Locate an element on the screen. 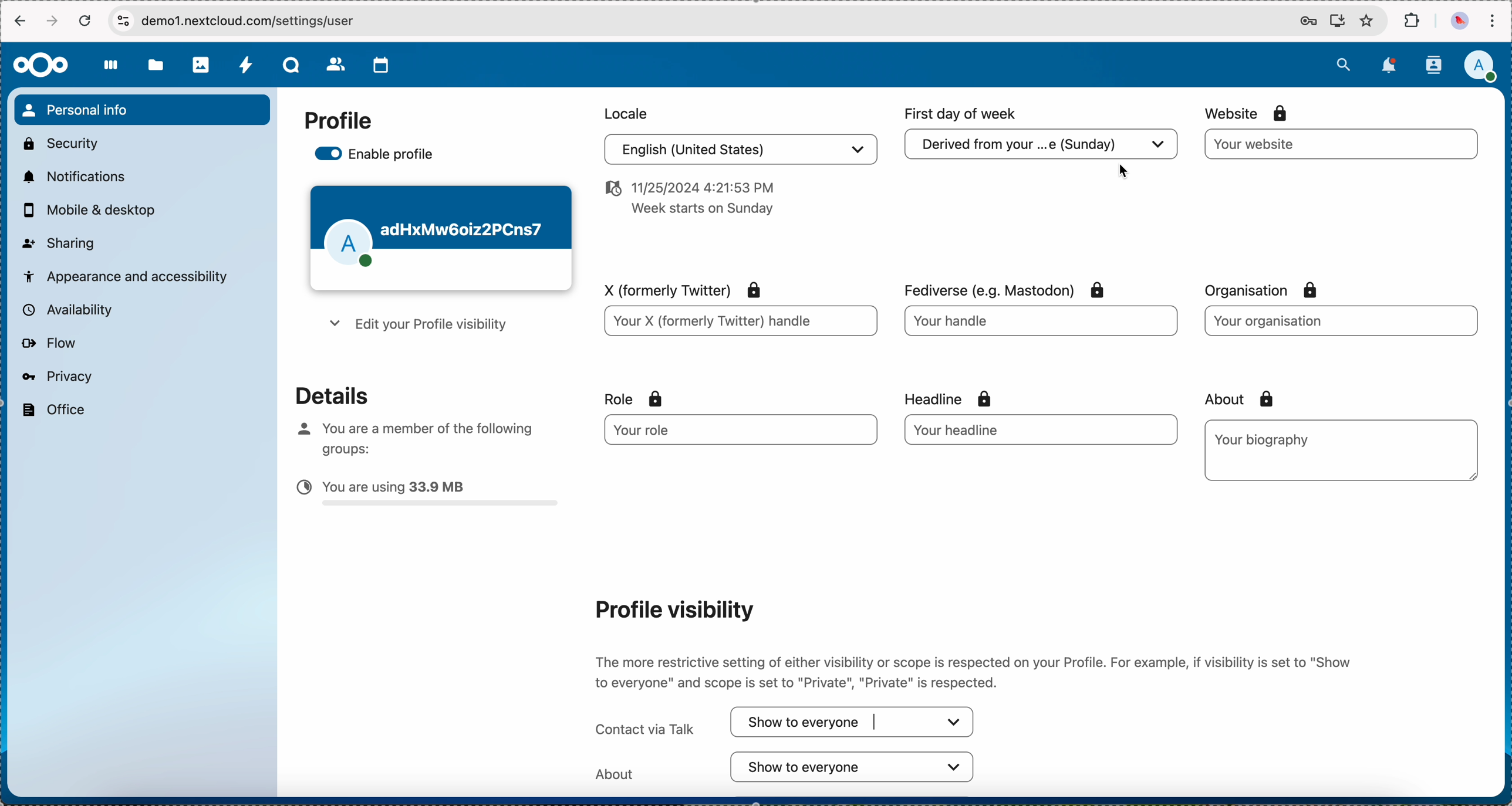  x is located at coordinates (677, 288).